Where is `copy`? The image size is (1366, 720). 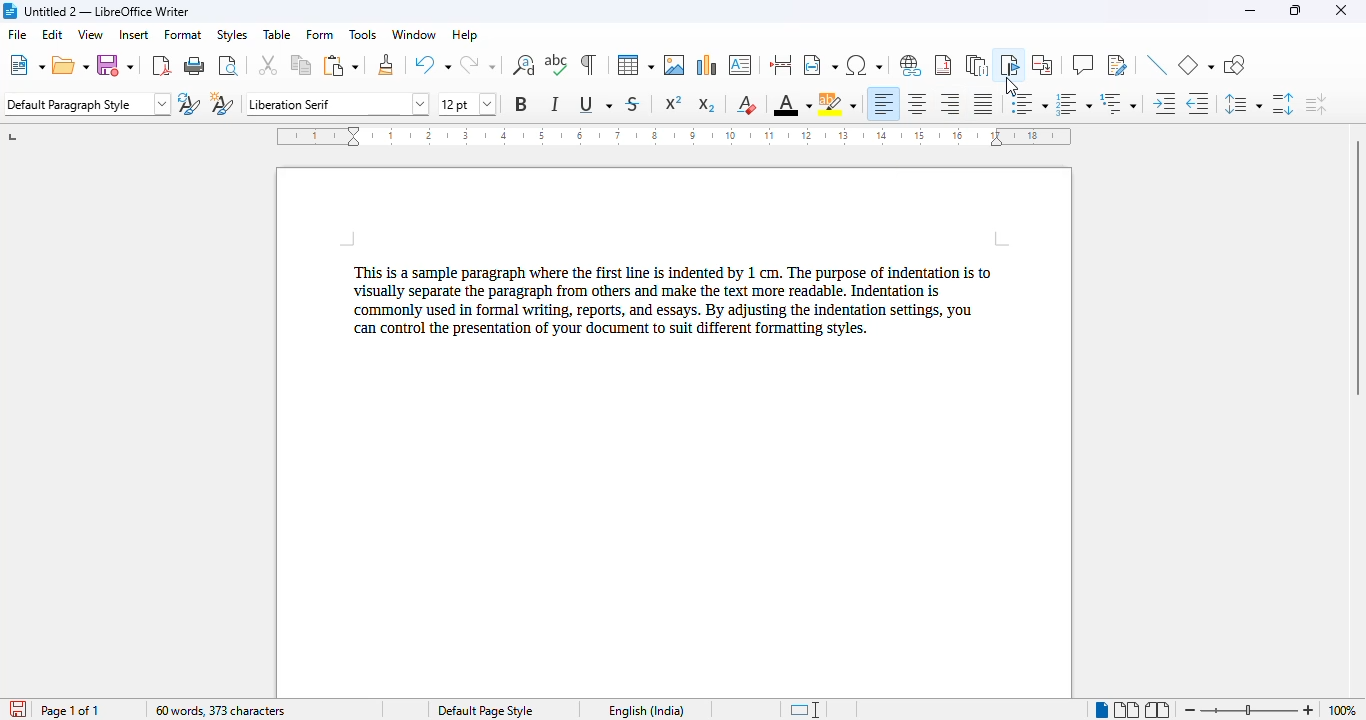
copy is located at coordinates (302, 65).